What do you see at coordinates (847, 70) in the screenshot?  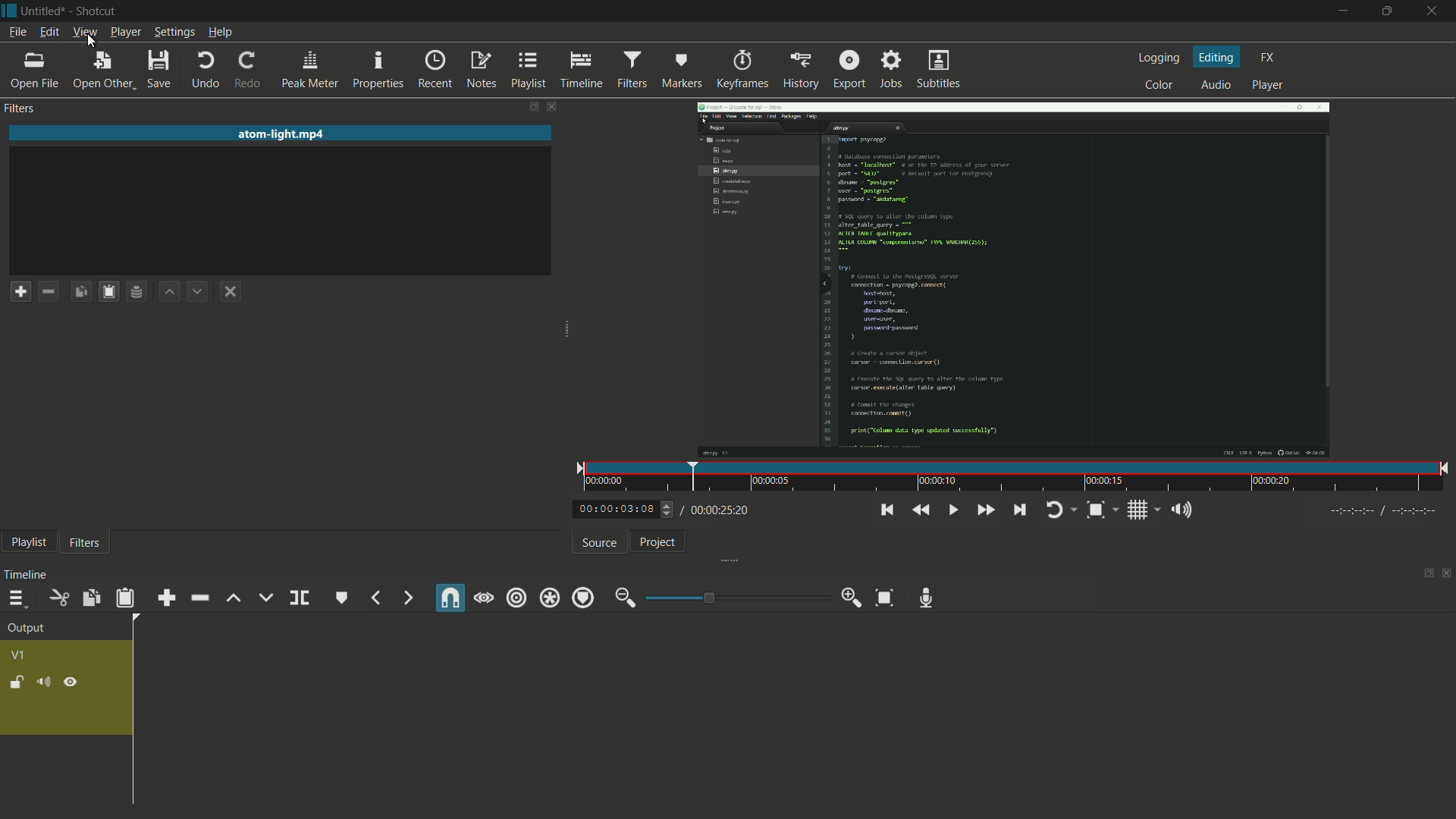 I see `export` at bounding box center [847, 70].